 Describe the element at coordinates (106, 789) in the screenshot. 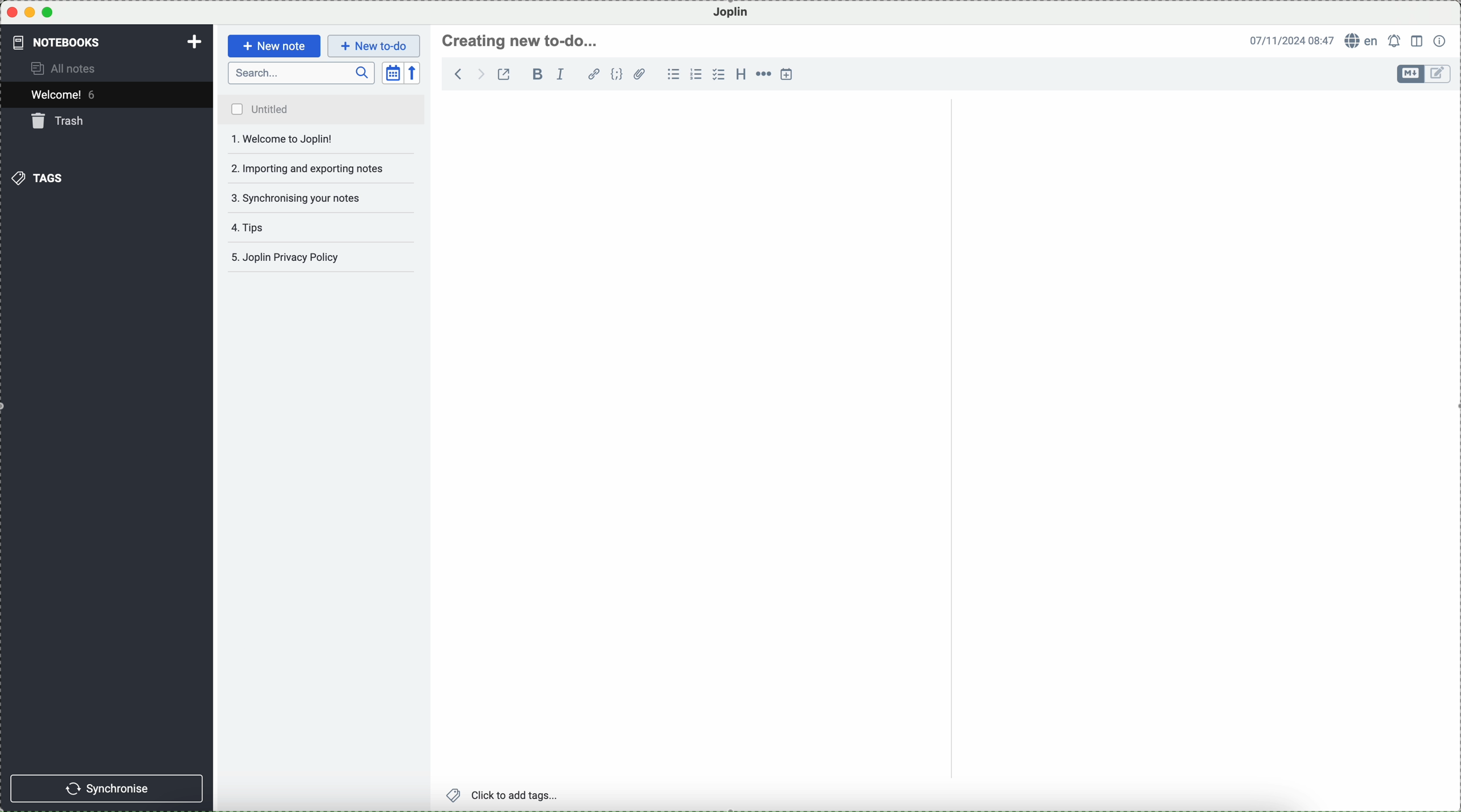

I see `synchronise button` at that location.